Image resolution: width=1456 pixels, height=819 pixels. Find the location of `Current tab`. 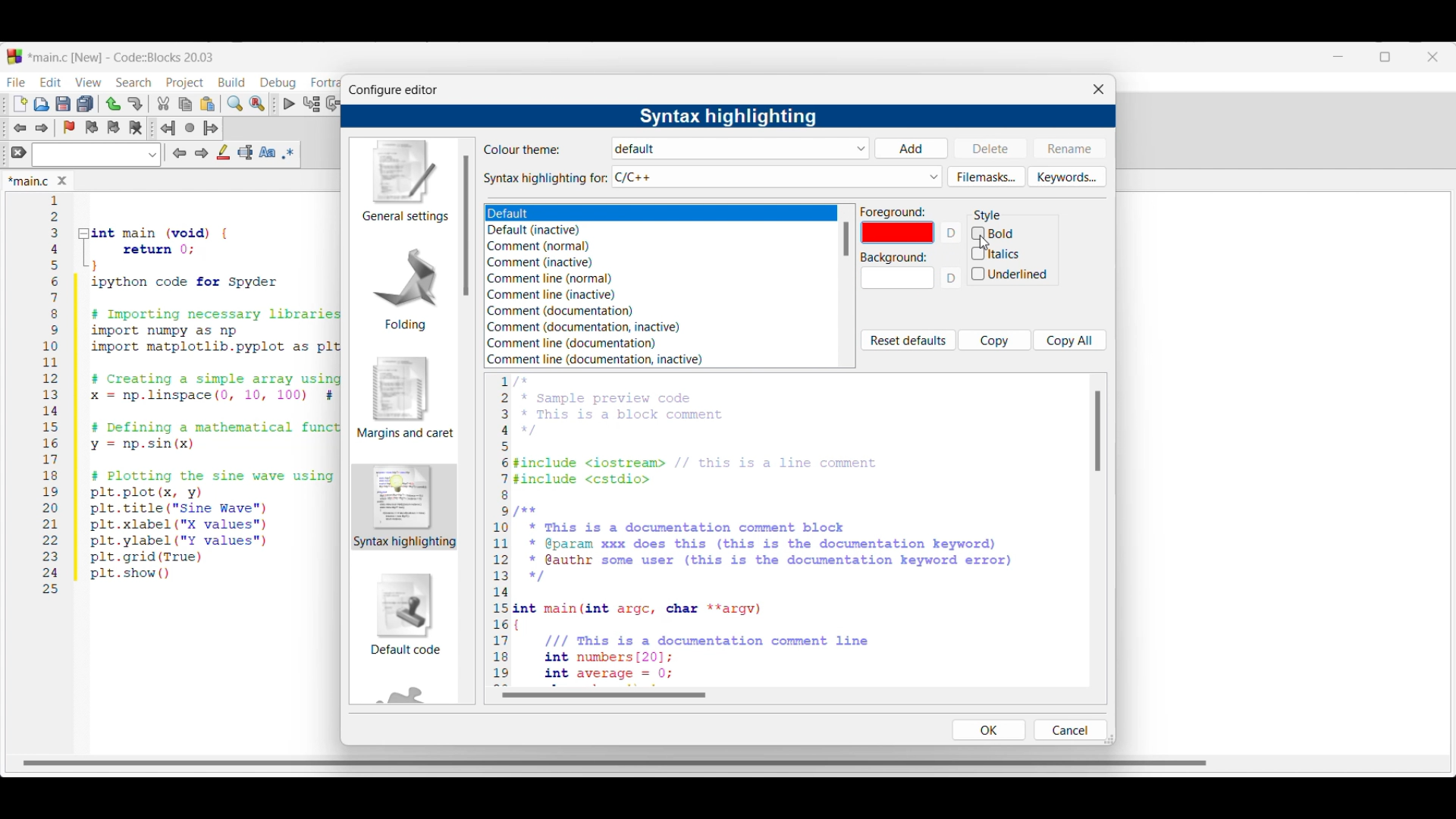

Current tab is located at coordinates (29, 182).